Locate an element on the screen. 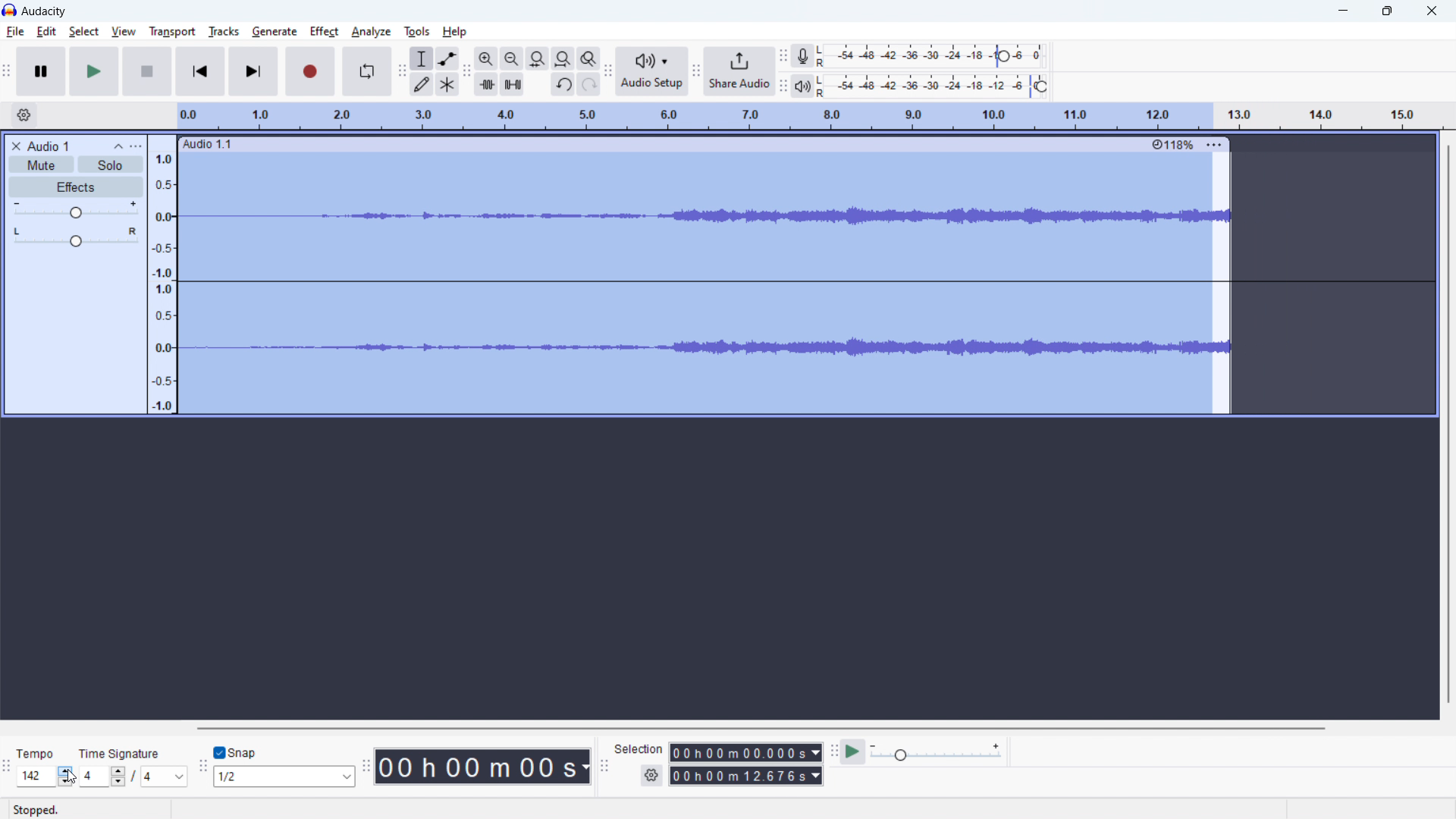 This screenshot has width=1456, height=819. redo is located at coordinates (588, 84).